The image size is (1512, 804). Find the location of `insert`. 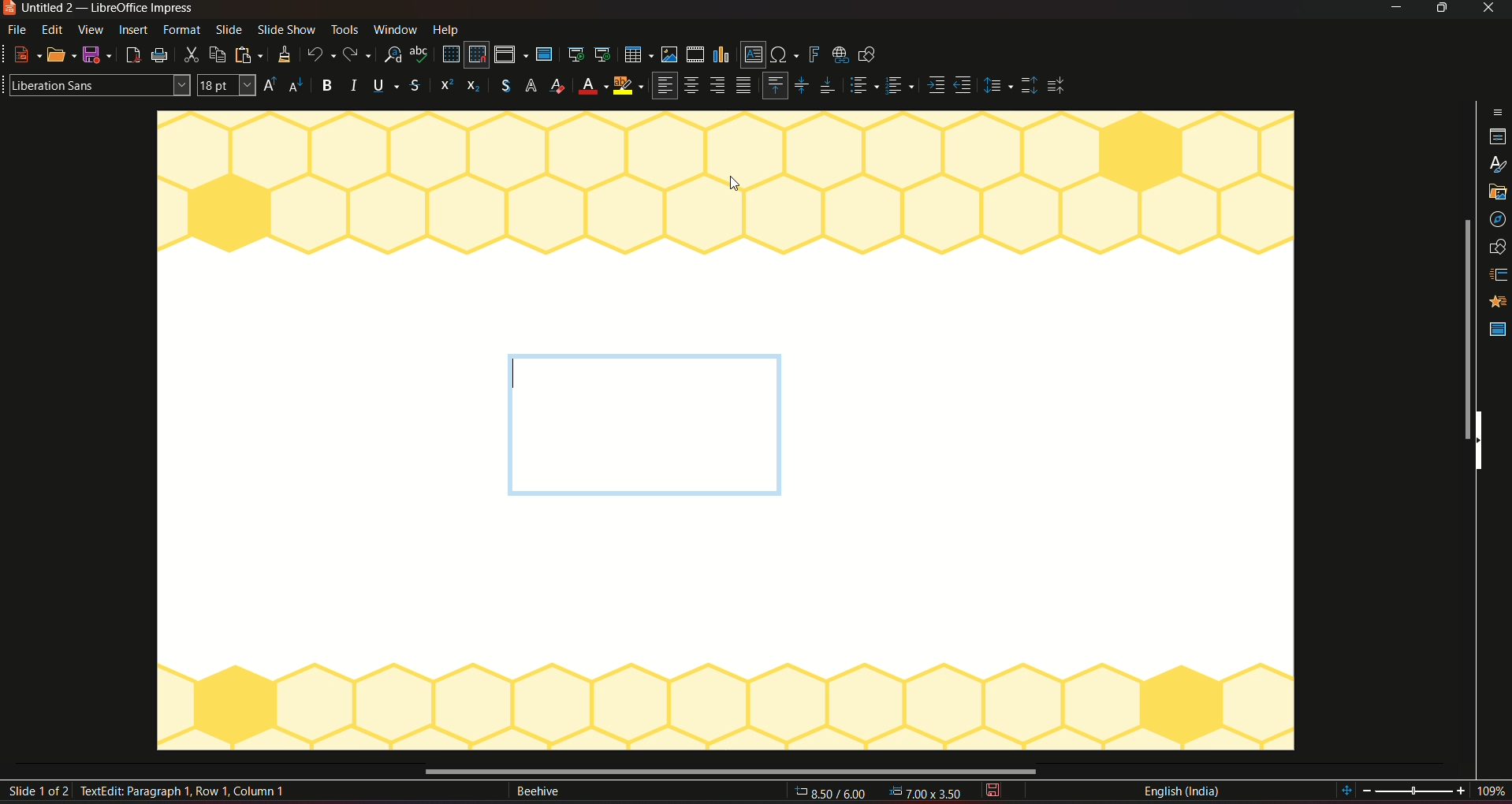

insert is located at coordinates (136, 32).